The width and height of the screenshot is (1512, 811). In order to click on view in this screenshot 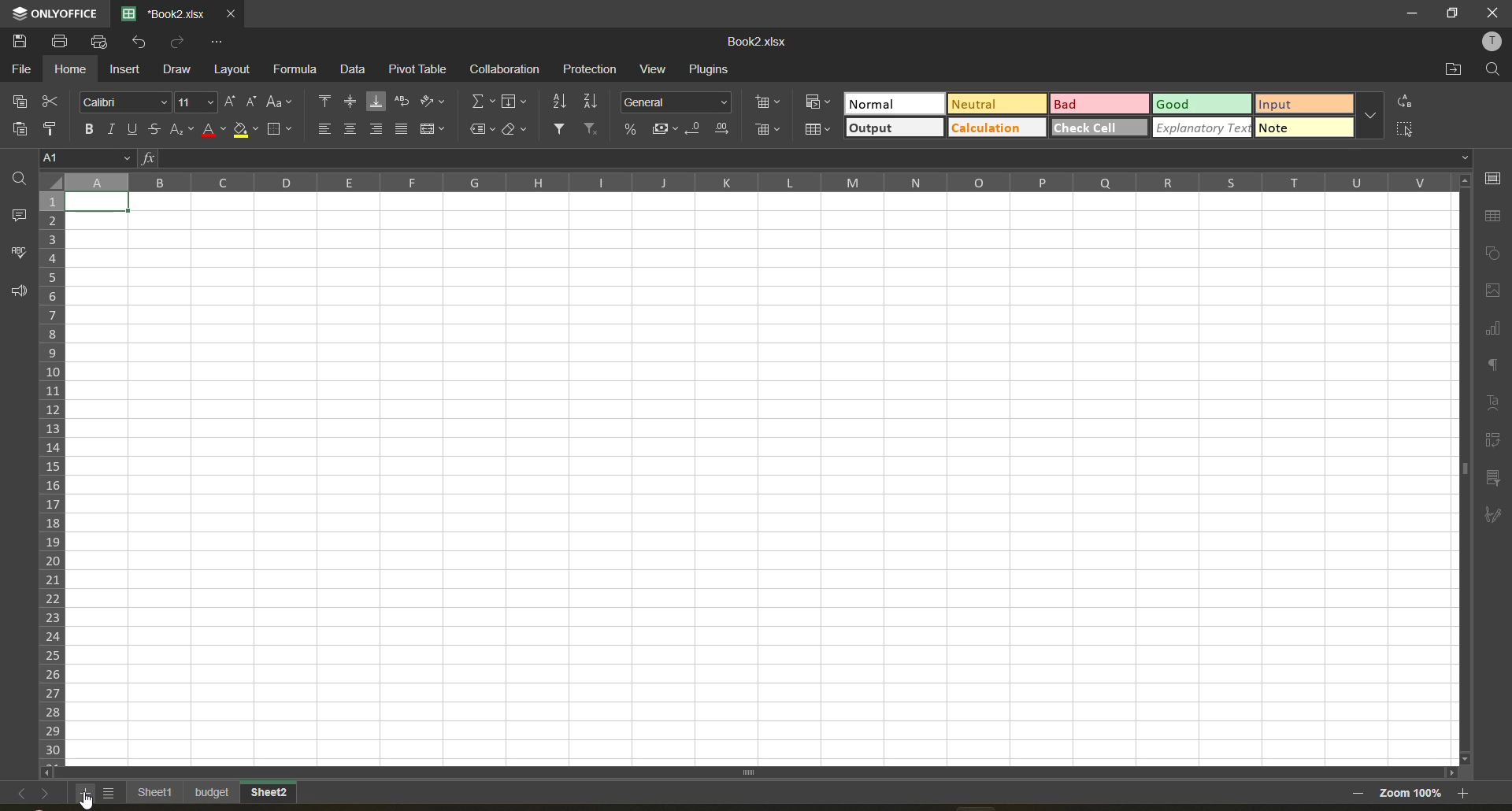, I will do `click(657, 71)`.